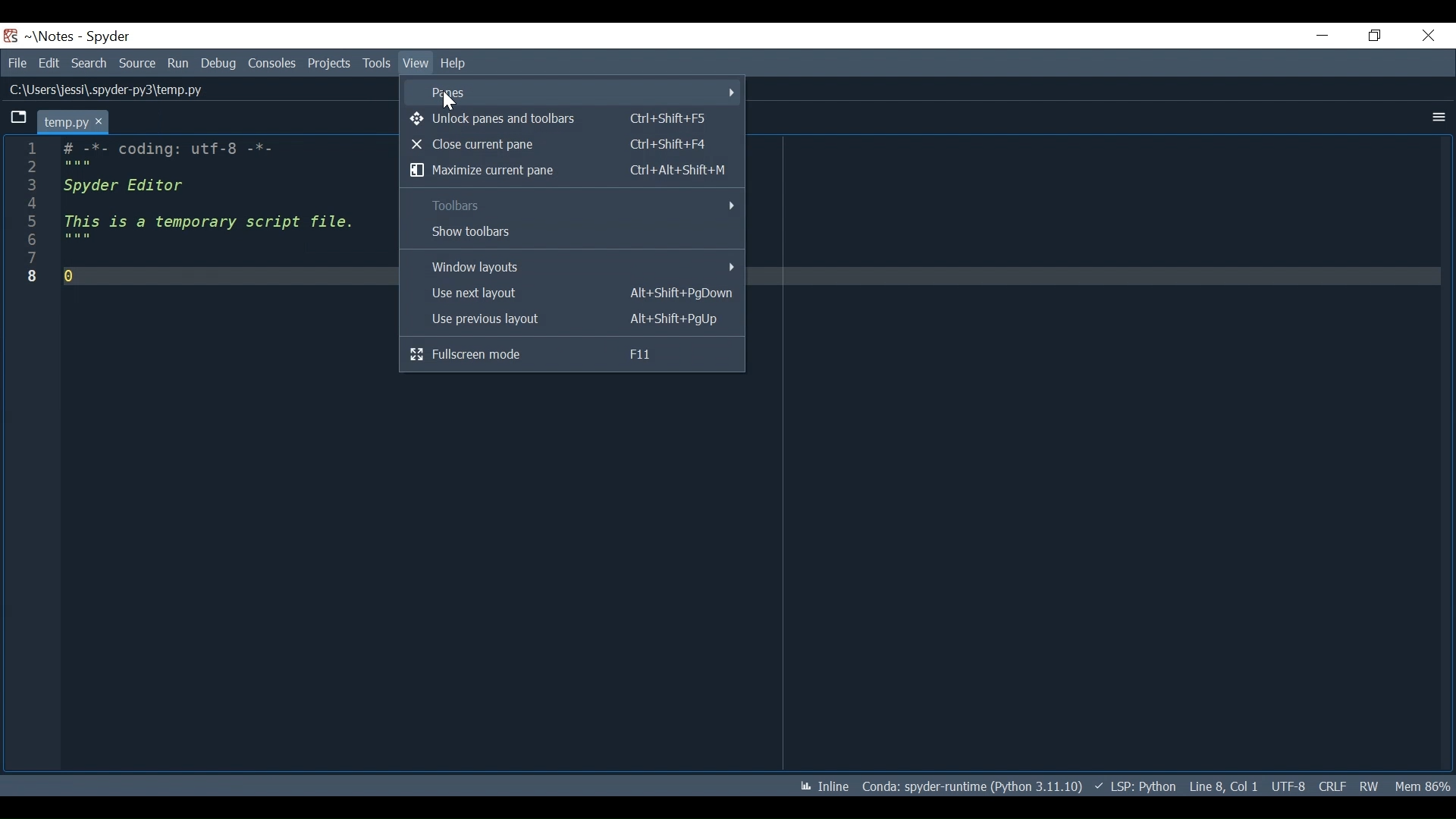 This screenshot has height=819, width=1456. I want to click on UTF-8, so click(1287, 787).